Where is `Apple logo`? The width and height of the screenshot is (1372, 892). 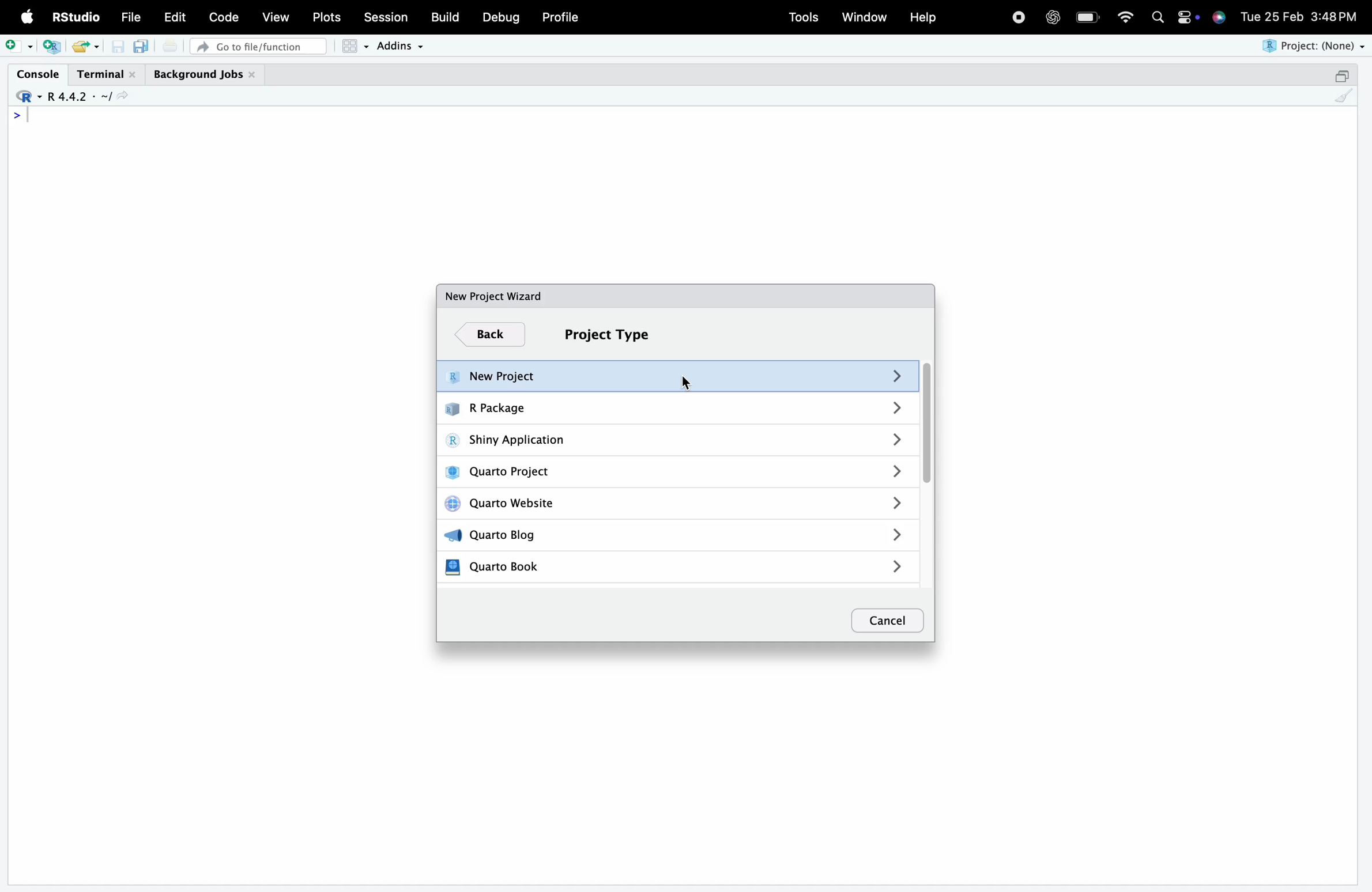 Apple logo is located at coordinates (28, 17).